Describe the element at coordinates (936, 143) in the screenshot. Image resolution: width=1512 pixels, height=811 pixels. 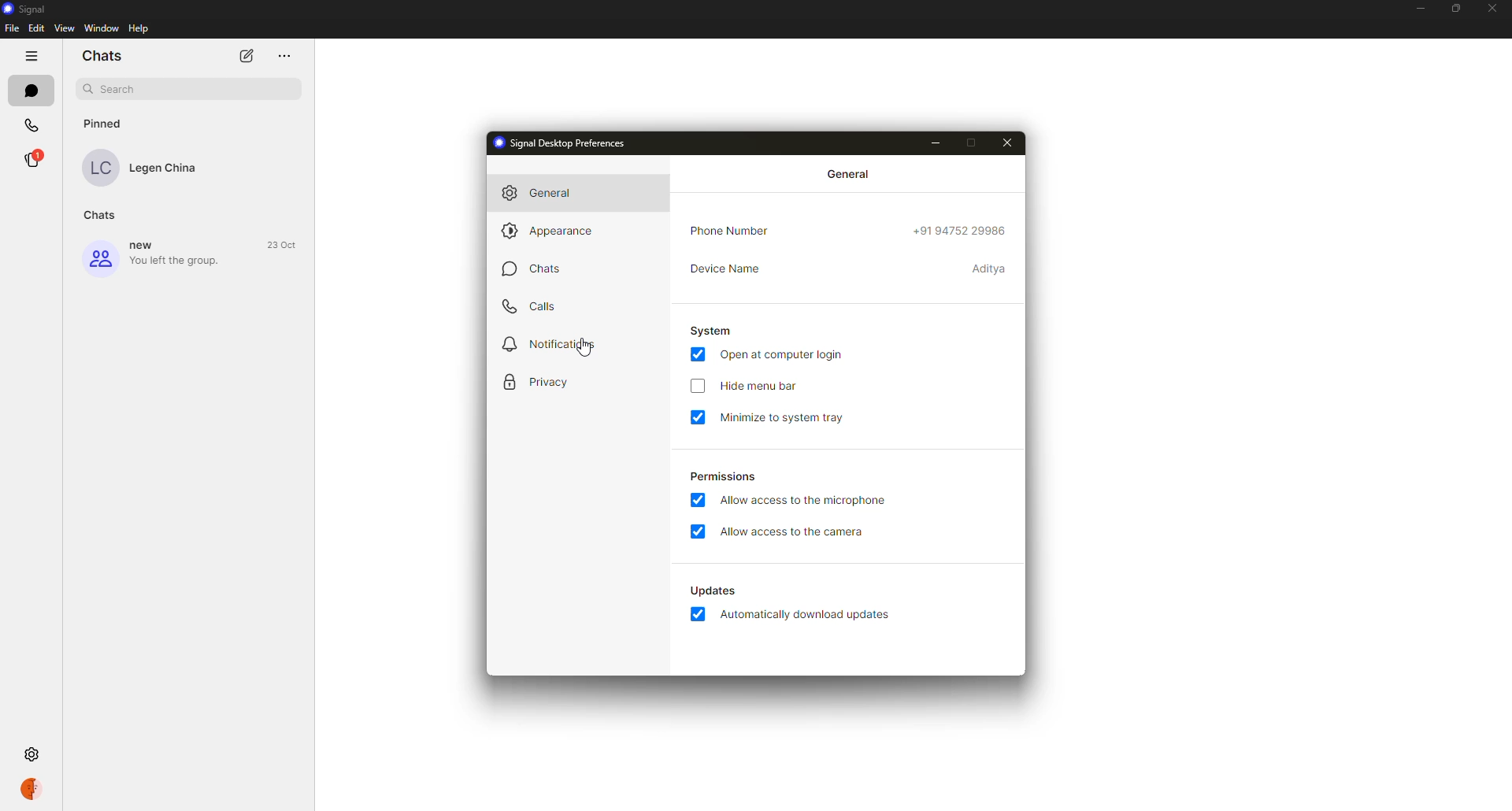
I see `minimize` at that location.